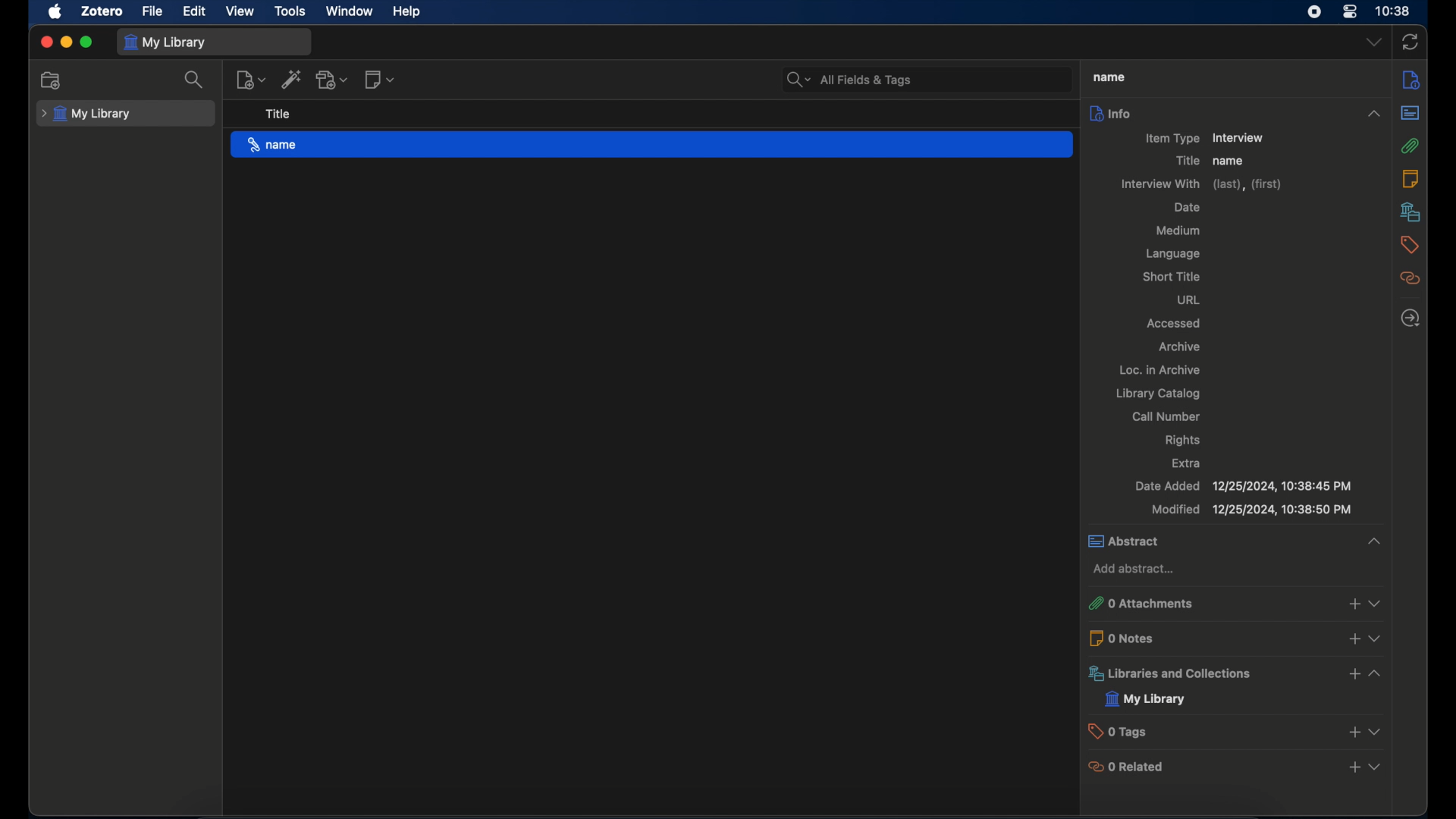 This screenshot has height=819, width=1456. What do you see at coordinates (1351, 731) in the screenshot?
I see `add` at bounding box center [1351, 731].